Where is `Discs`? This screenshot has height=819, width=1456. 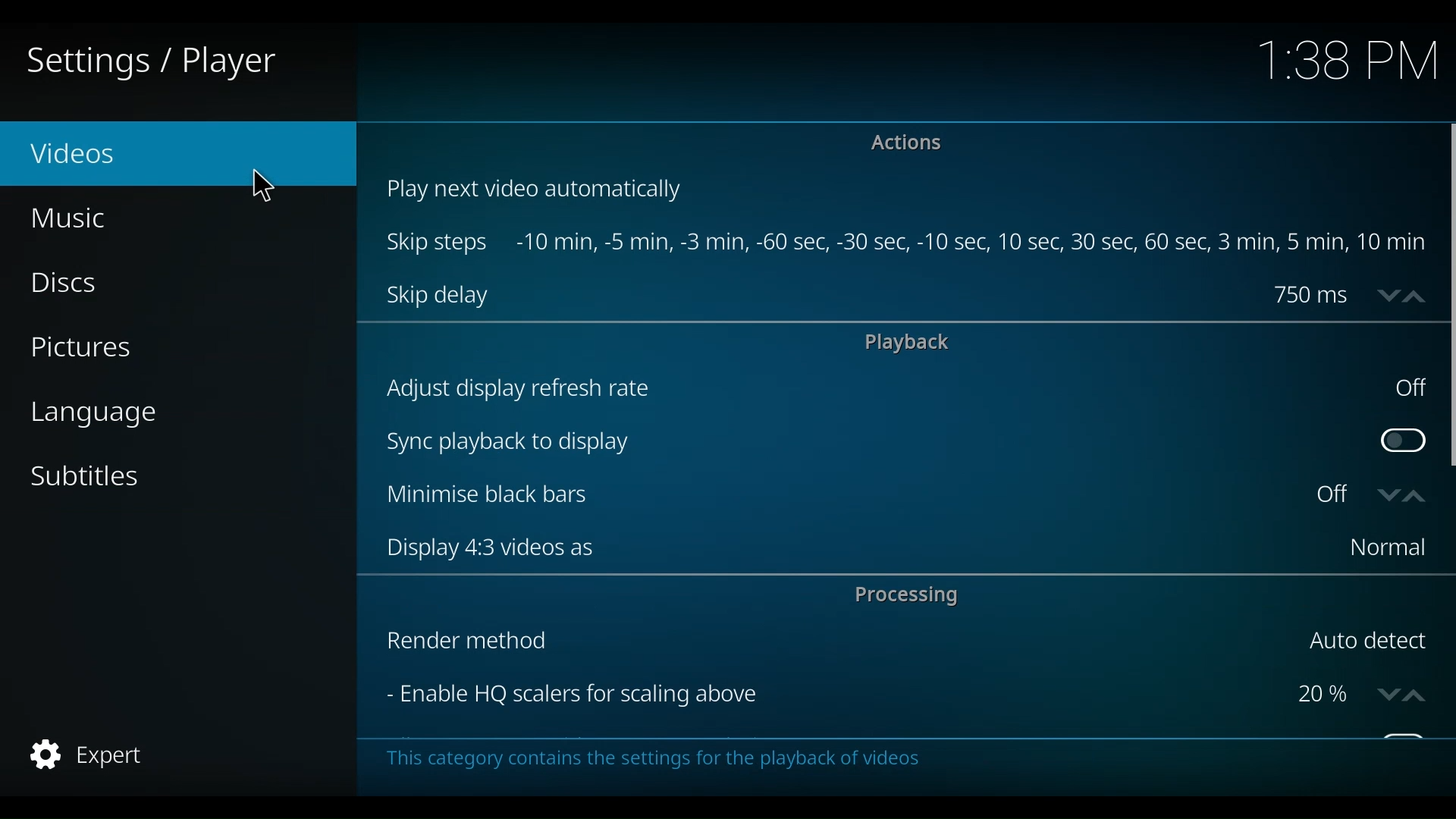
Discs is located at coordinates (74, 284).